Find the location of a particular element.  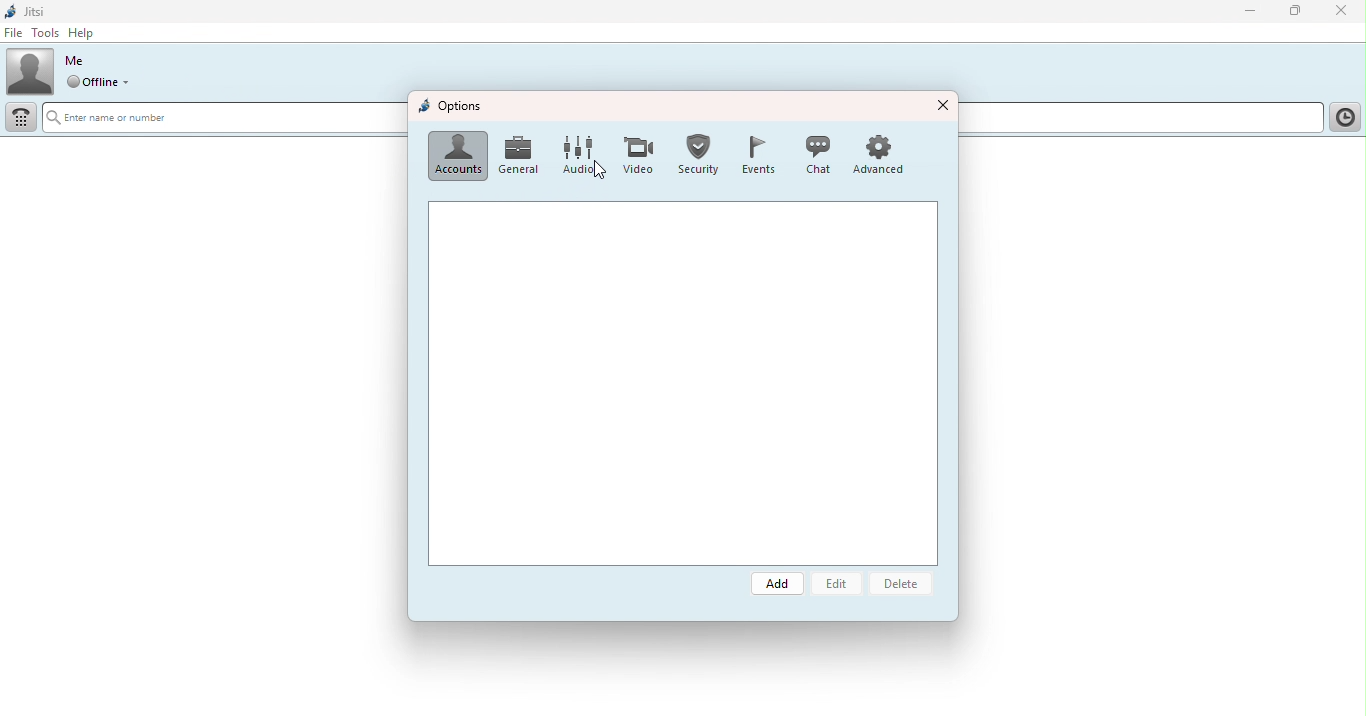

Video is located at coordinates (634, 156).